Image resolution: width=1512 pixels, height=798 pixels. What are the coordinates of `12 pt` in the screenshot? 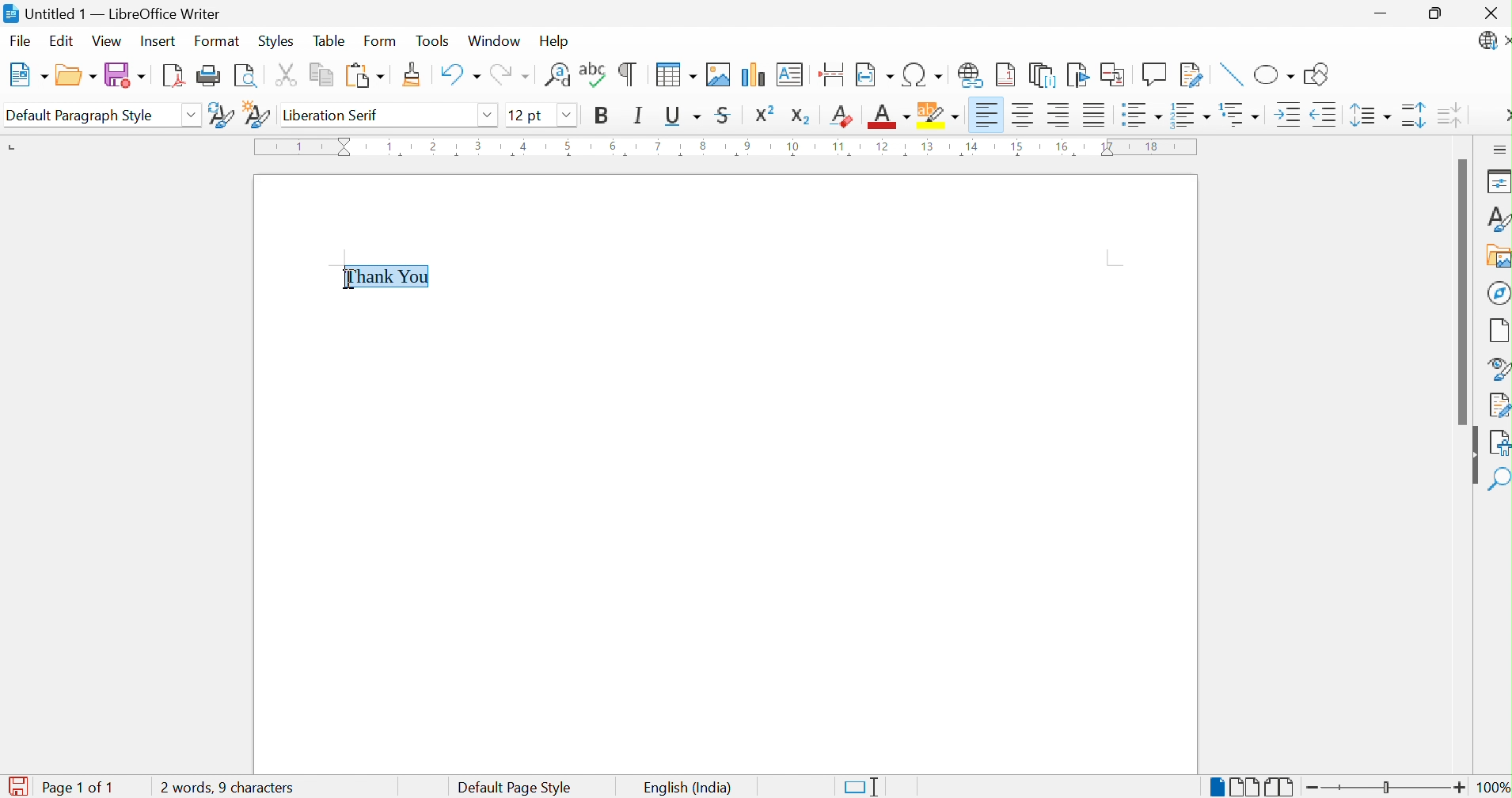 It's located at (527, 113).